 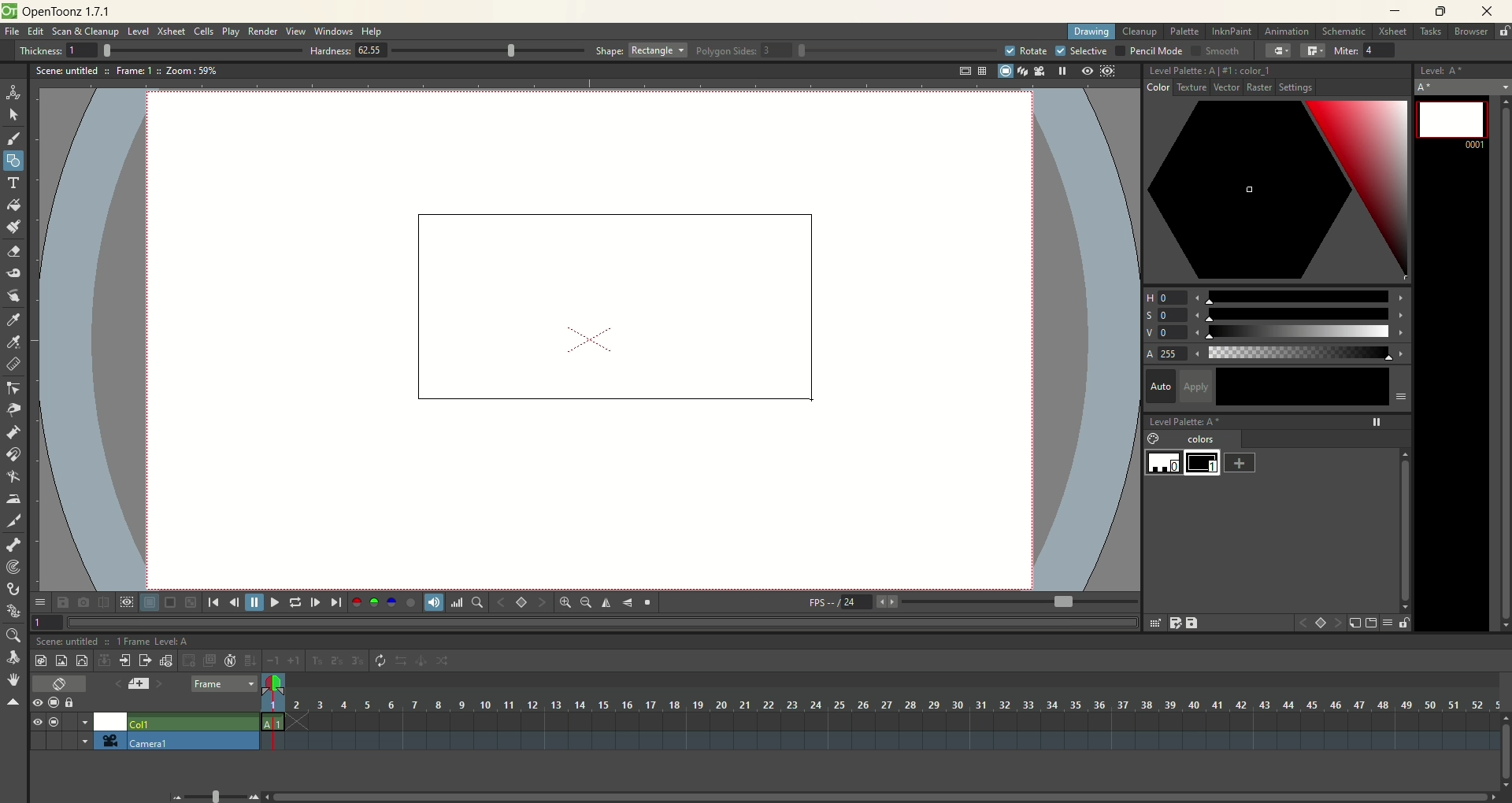 I want to click on playback frame rate, so click(x=856, y=605).